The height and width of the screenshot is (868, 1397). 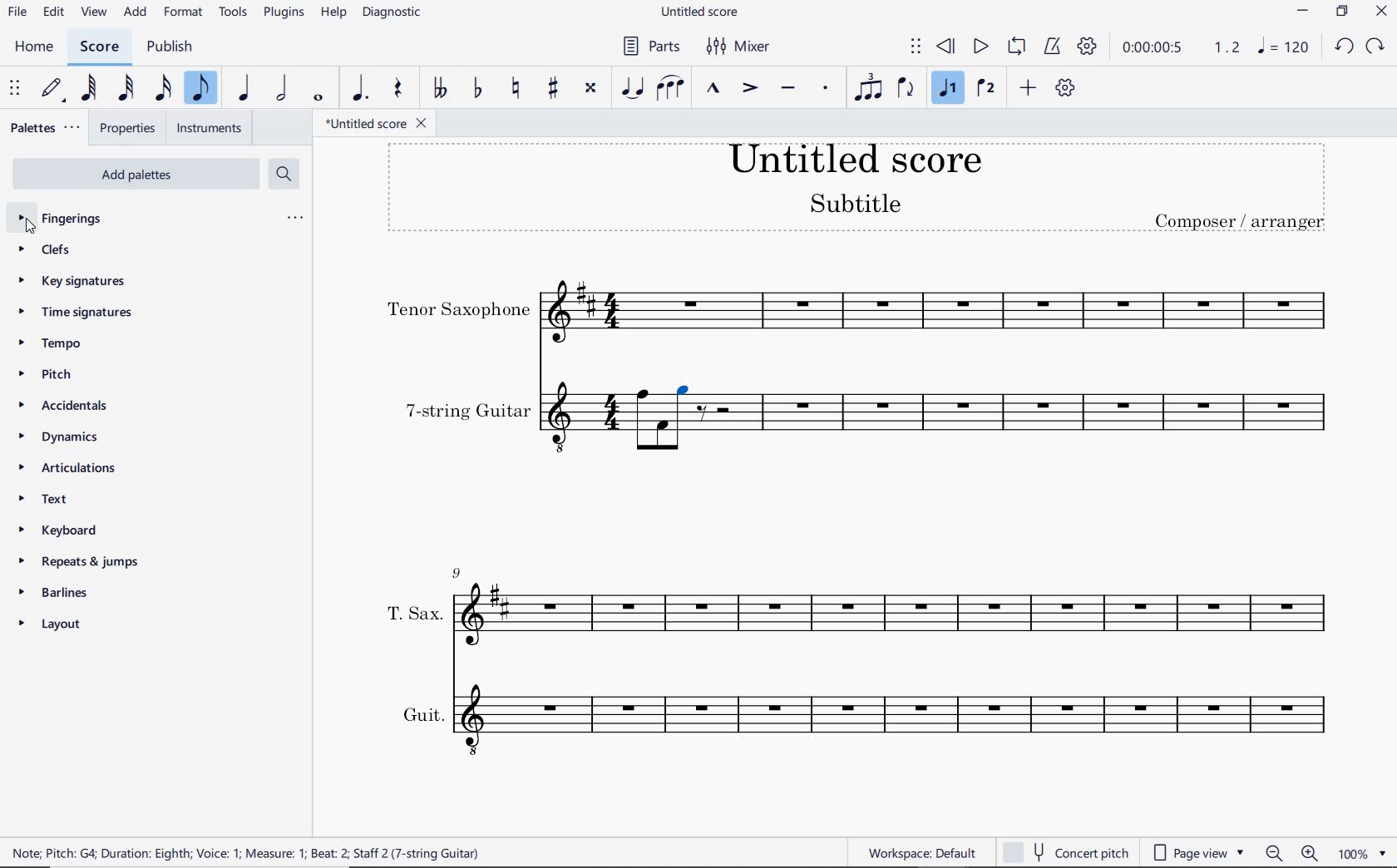 What do you see at coordinates (685, 439) in the screenshot?
I see `` at bounding box center [685, 439].